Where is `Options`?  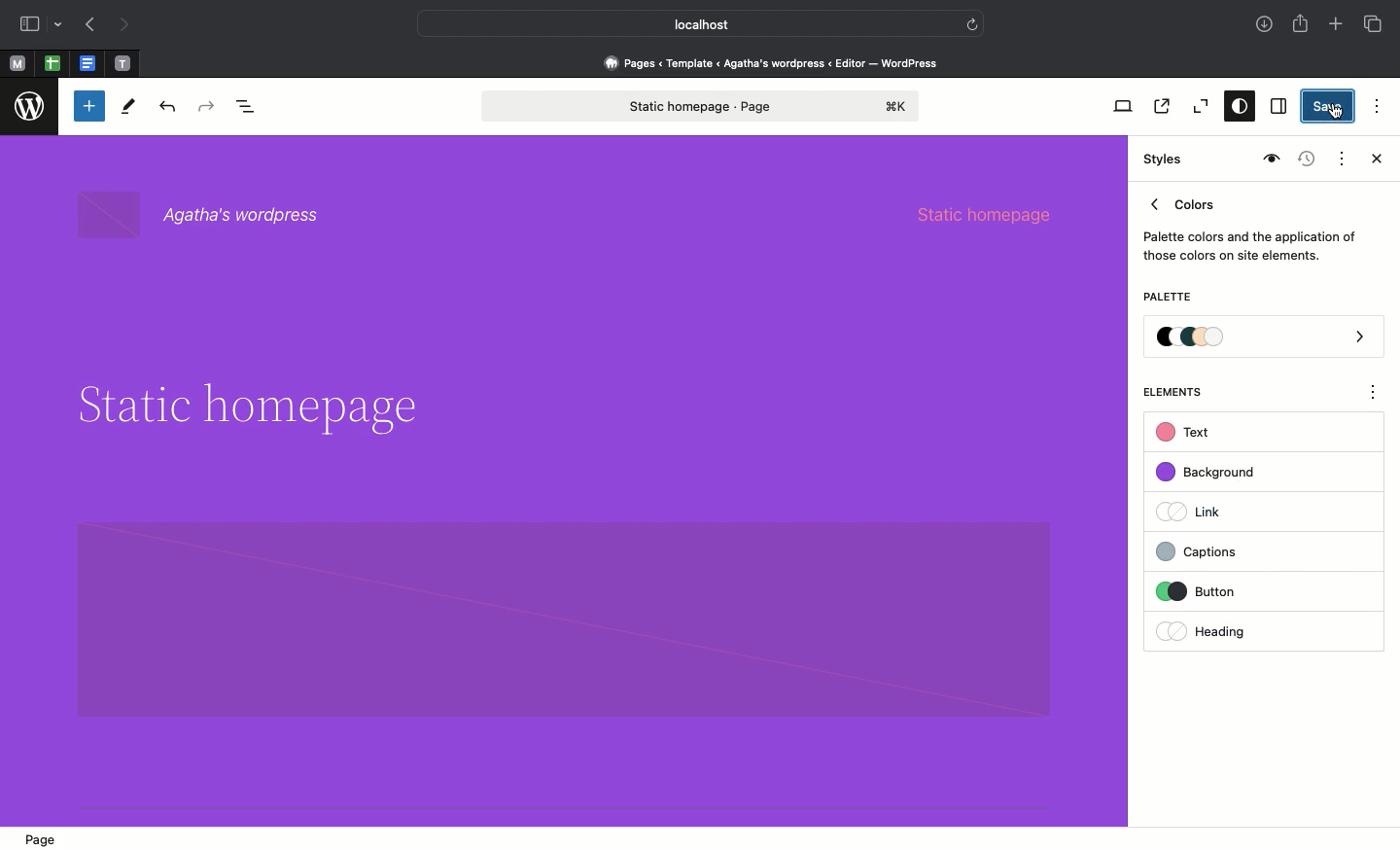
Options is located at coordinates (1375, 103).